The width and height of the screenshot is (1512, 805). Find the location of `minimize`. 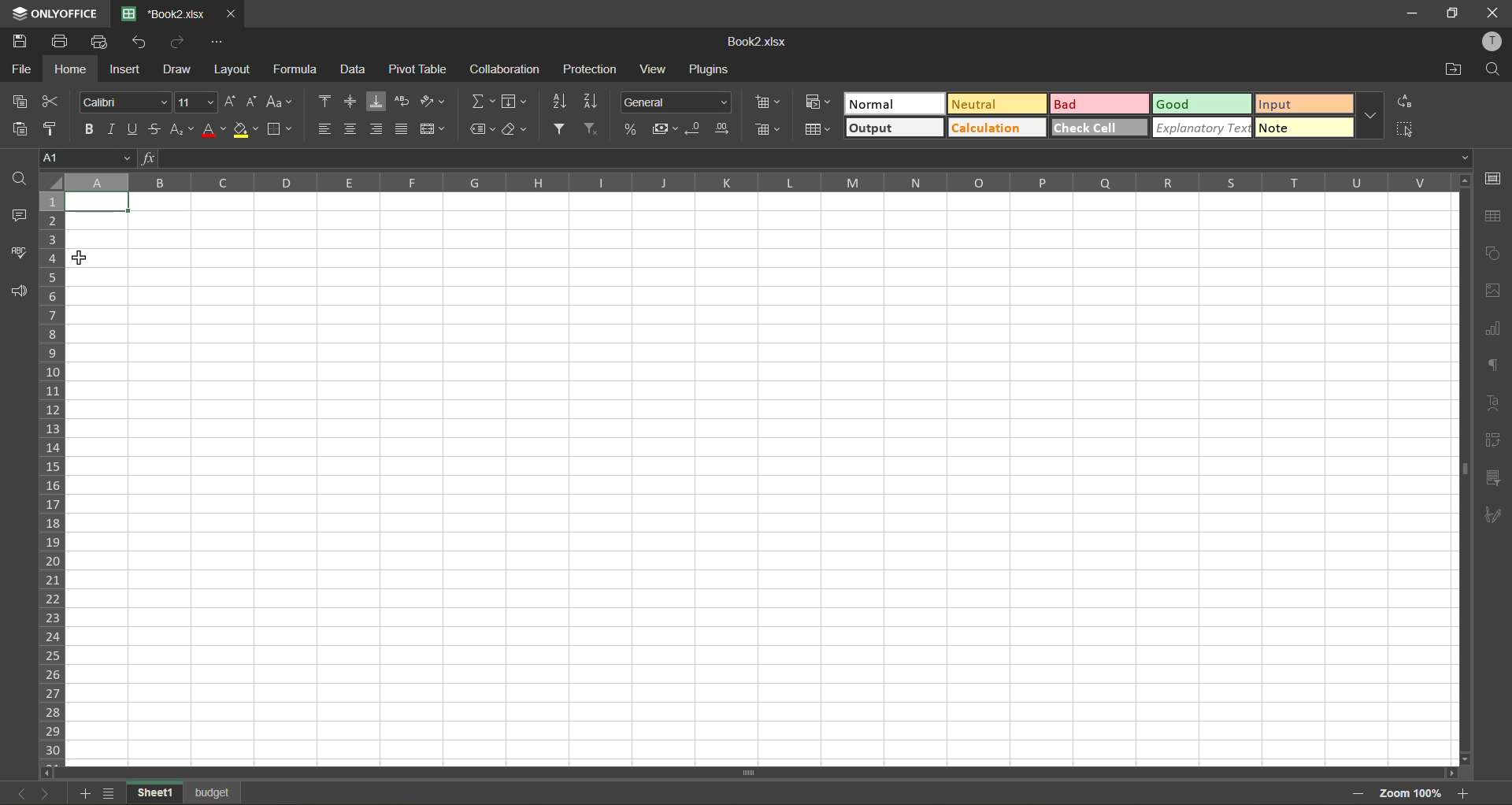

minimize is located at coordinates (1403, 13).